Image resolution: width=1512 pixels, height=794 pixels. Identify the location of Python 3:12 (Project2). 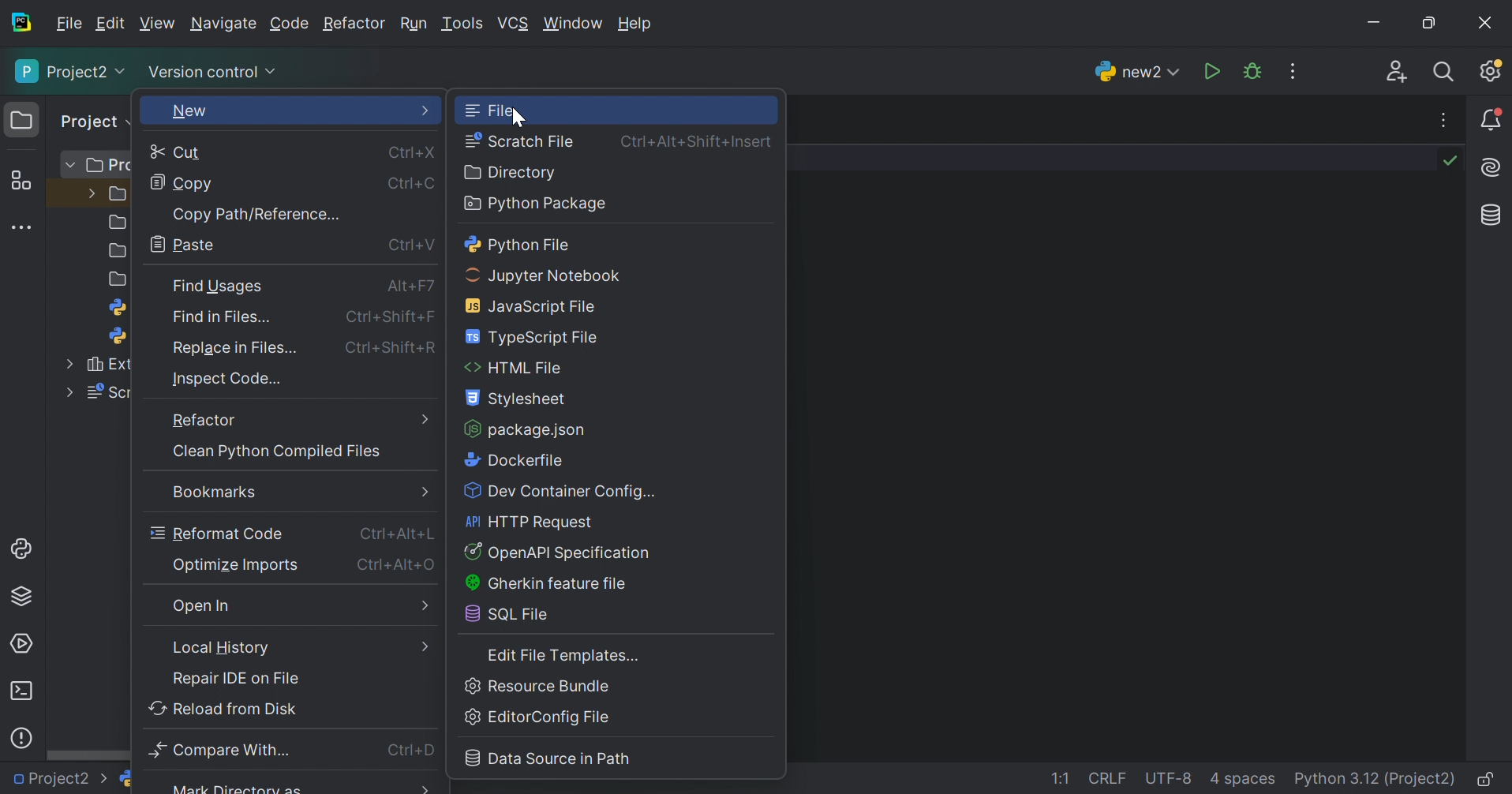
(1376, 780).